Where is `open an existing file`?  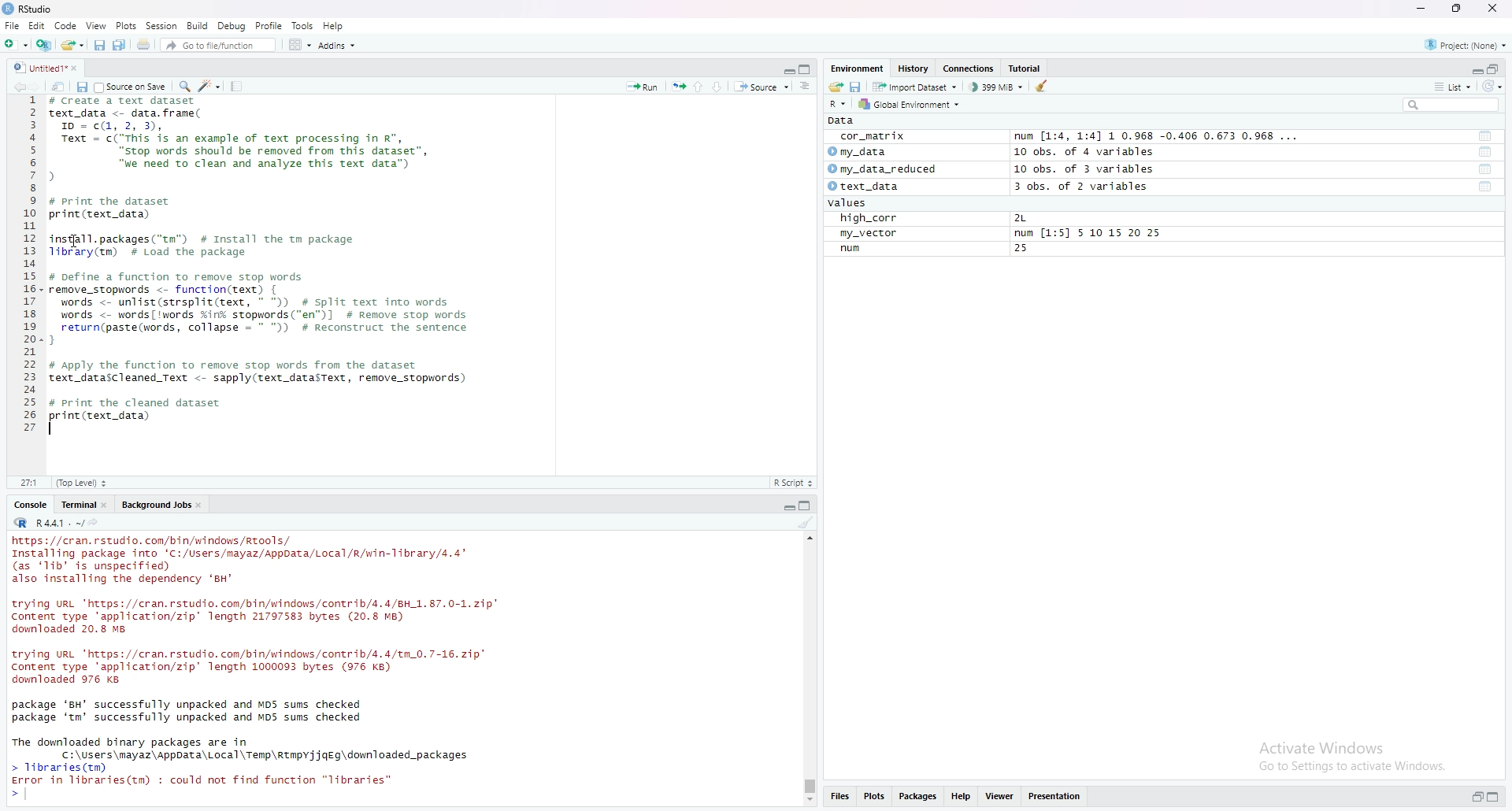 open an existing file is located at coordinates (73, 46).